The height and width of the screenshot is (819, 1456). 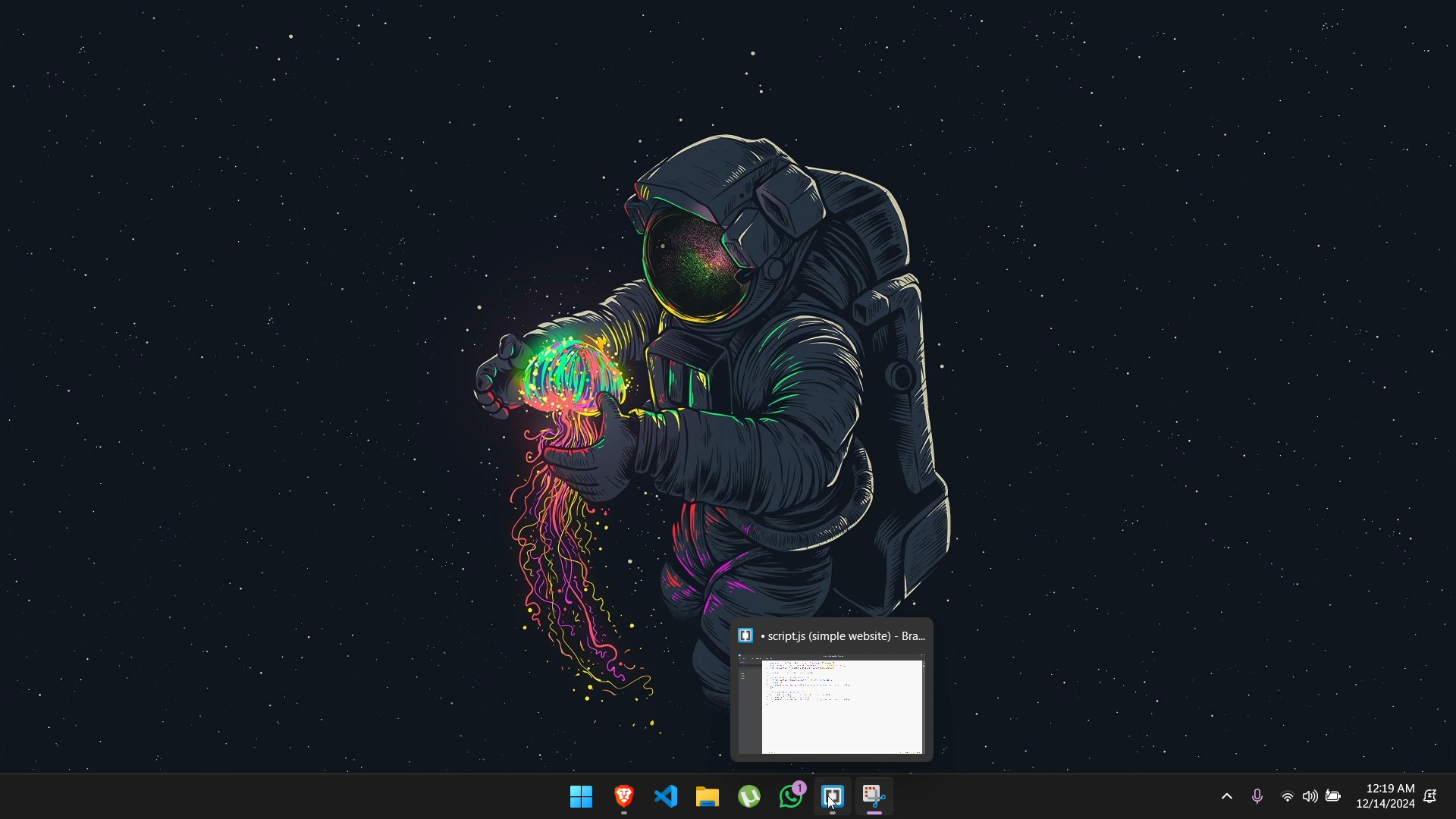 What do you see at coordinates (669, 795) in the screenshot?
I see `vscode` at bounding box center [669, 795].